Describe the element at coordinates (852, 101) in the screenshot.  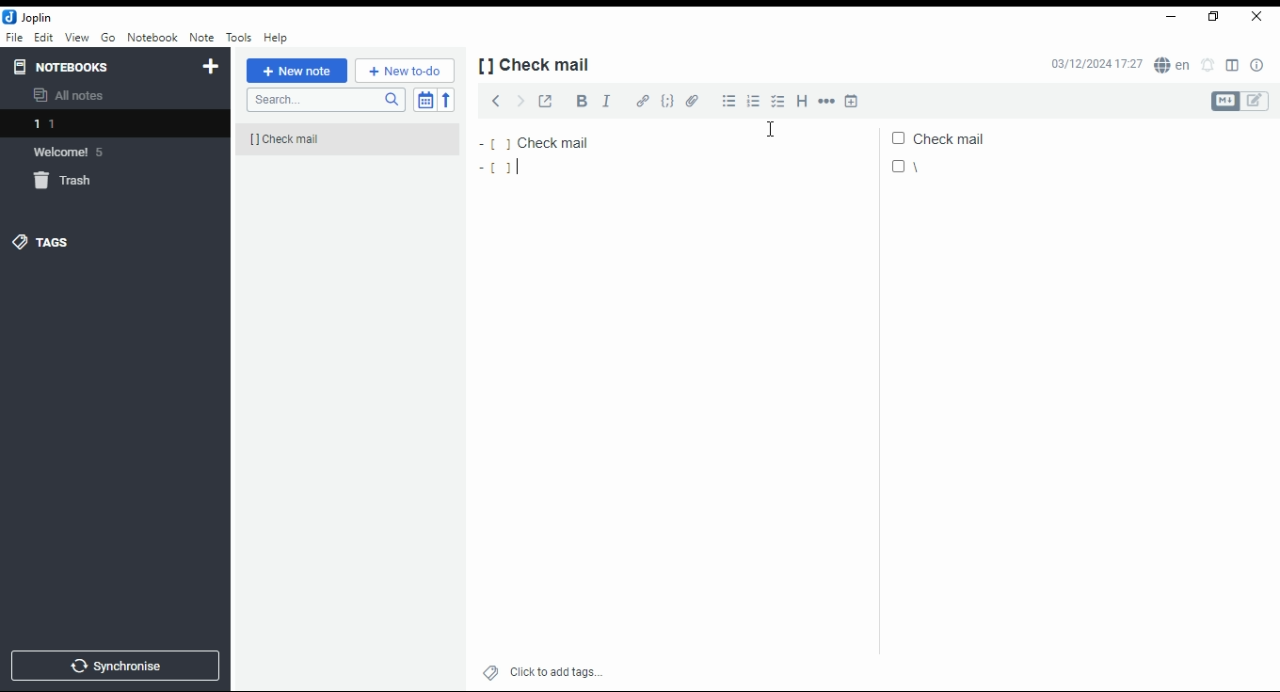
I see `insert time` at that location.